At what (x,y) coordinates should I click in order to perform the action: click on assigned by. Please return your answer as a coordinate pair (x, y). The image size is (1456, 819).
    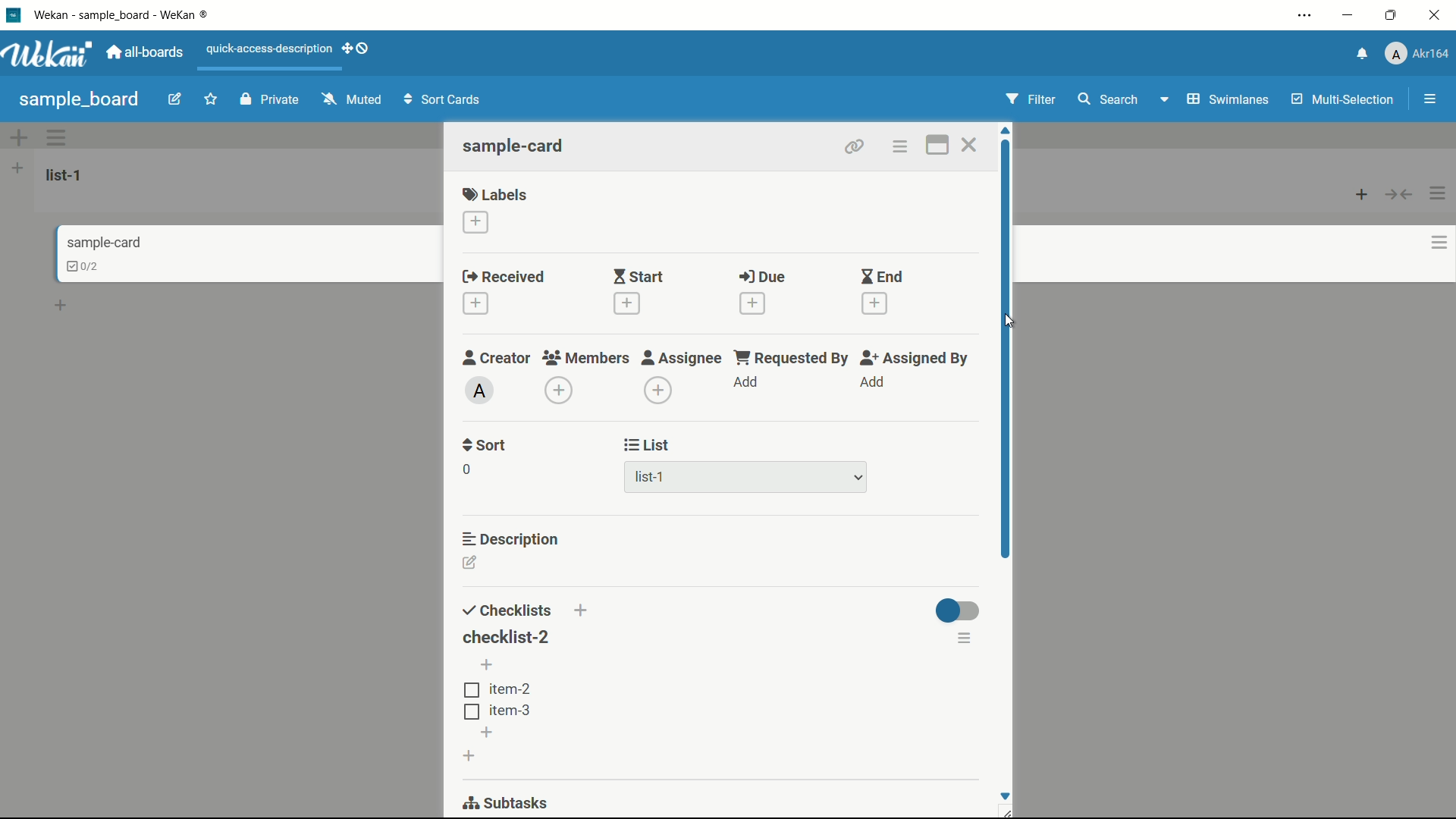
    Looking at the image, I should click on (916, 359).